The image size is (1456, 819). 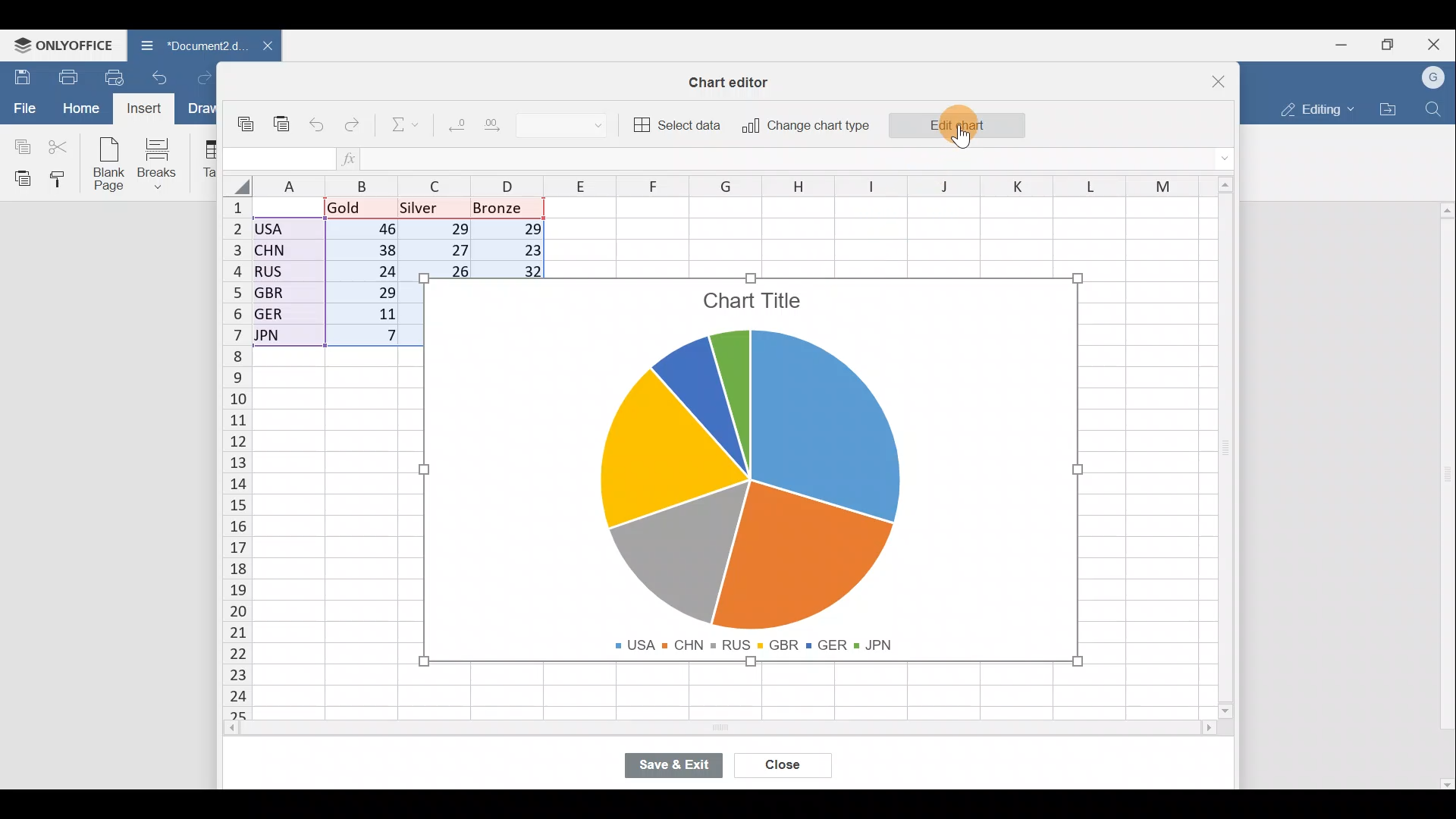 I want to click on Decrease decimal, so click(x=456, y=121).